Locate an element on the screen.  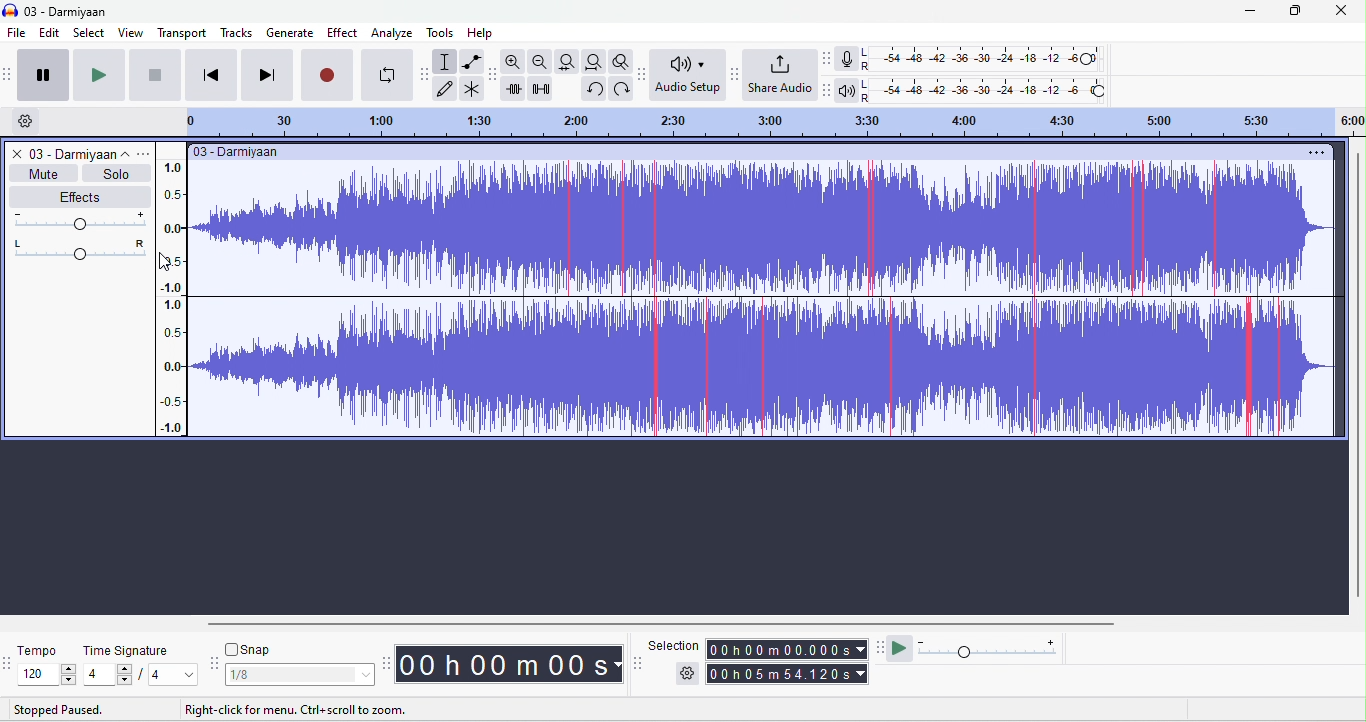
audacity audio set up toolbar is located at coordinates (644, 74).